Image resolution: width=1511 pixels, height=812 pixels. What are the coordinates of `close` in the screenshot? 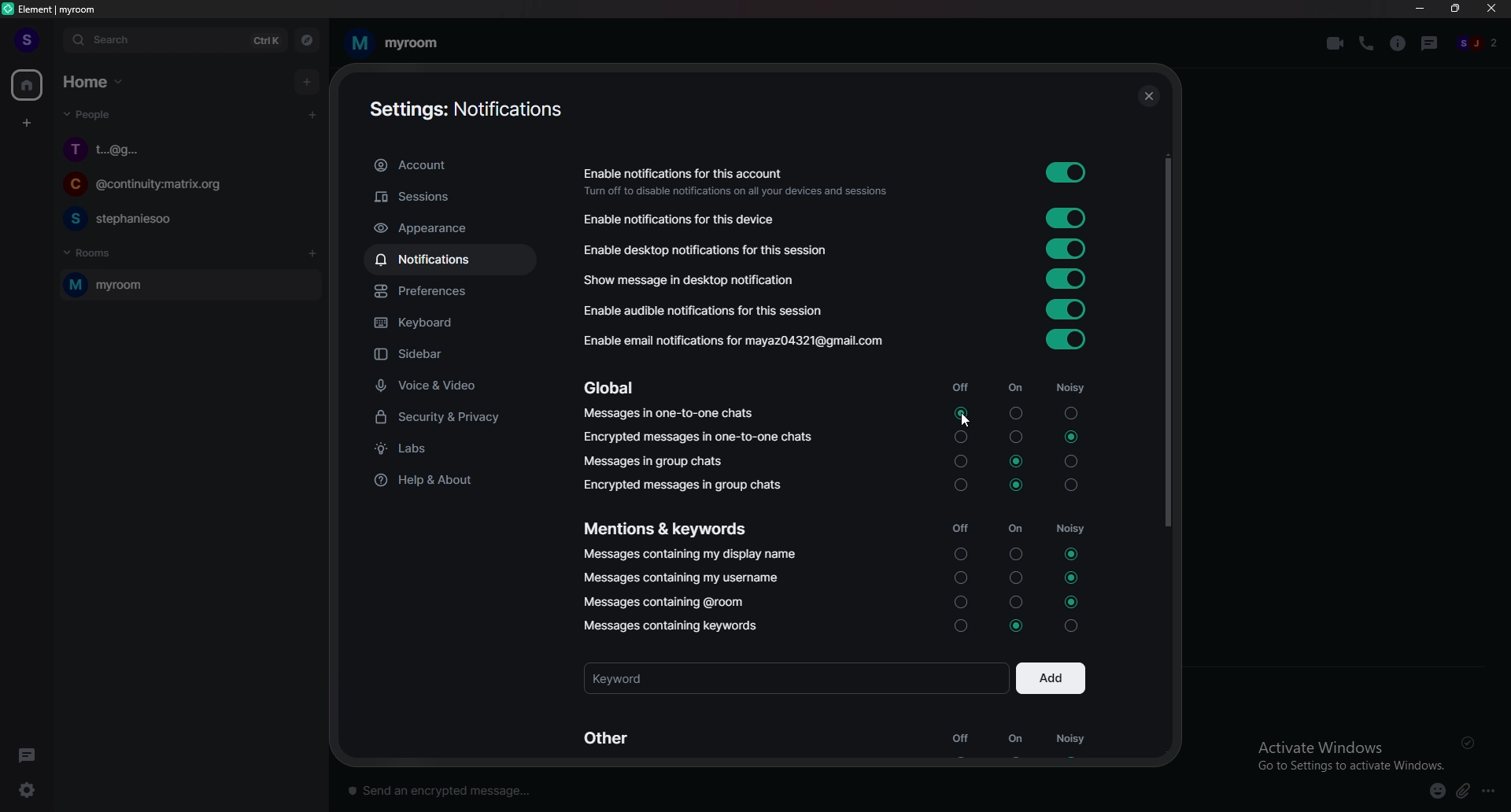 It's located at (1144, 92).